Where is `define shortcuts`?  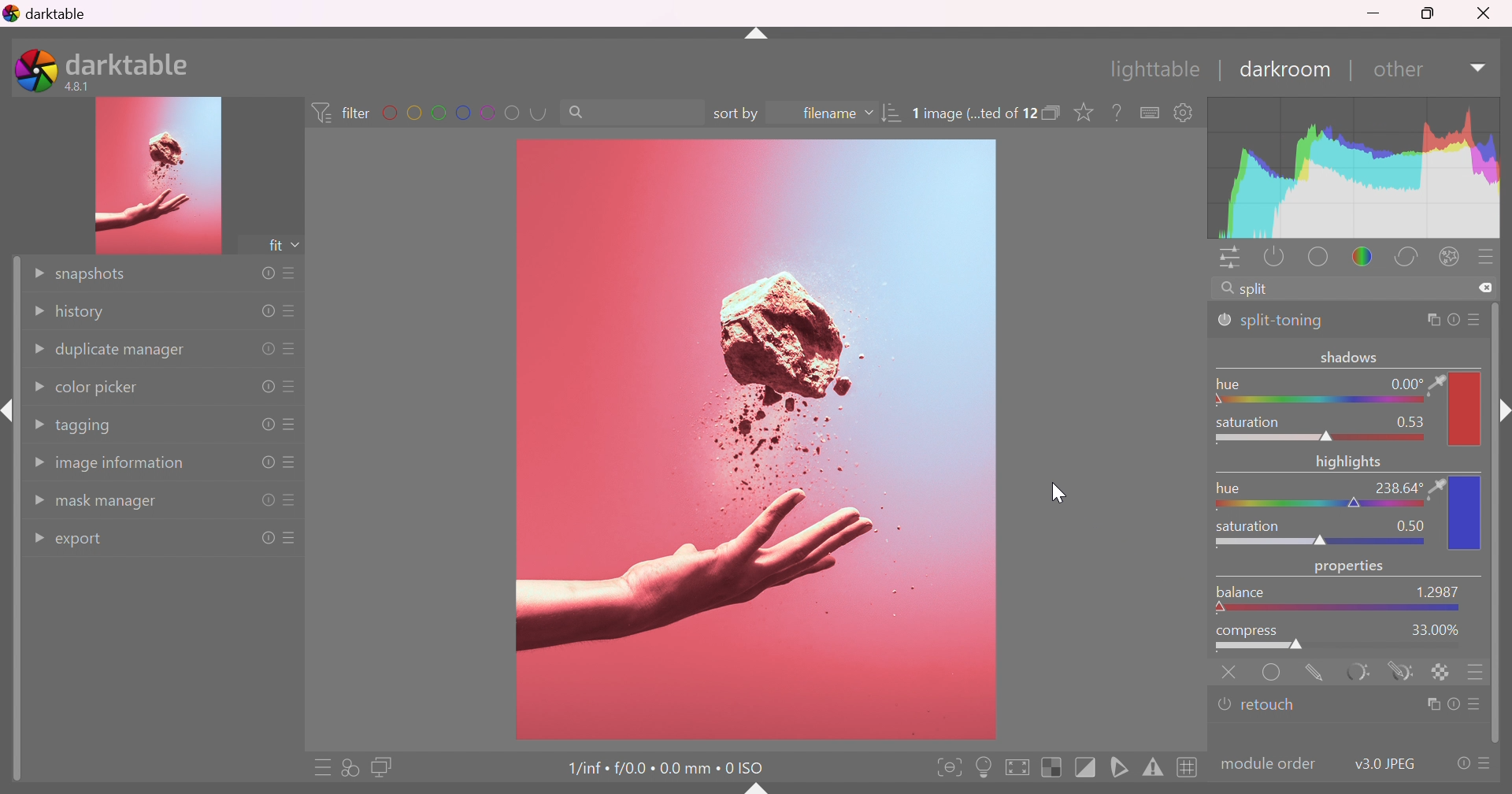
define shortcuts is located at coordinates (1150, 114).